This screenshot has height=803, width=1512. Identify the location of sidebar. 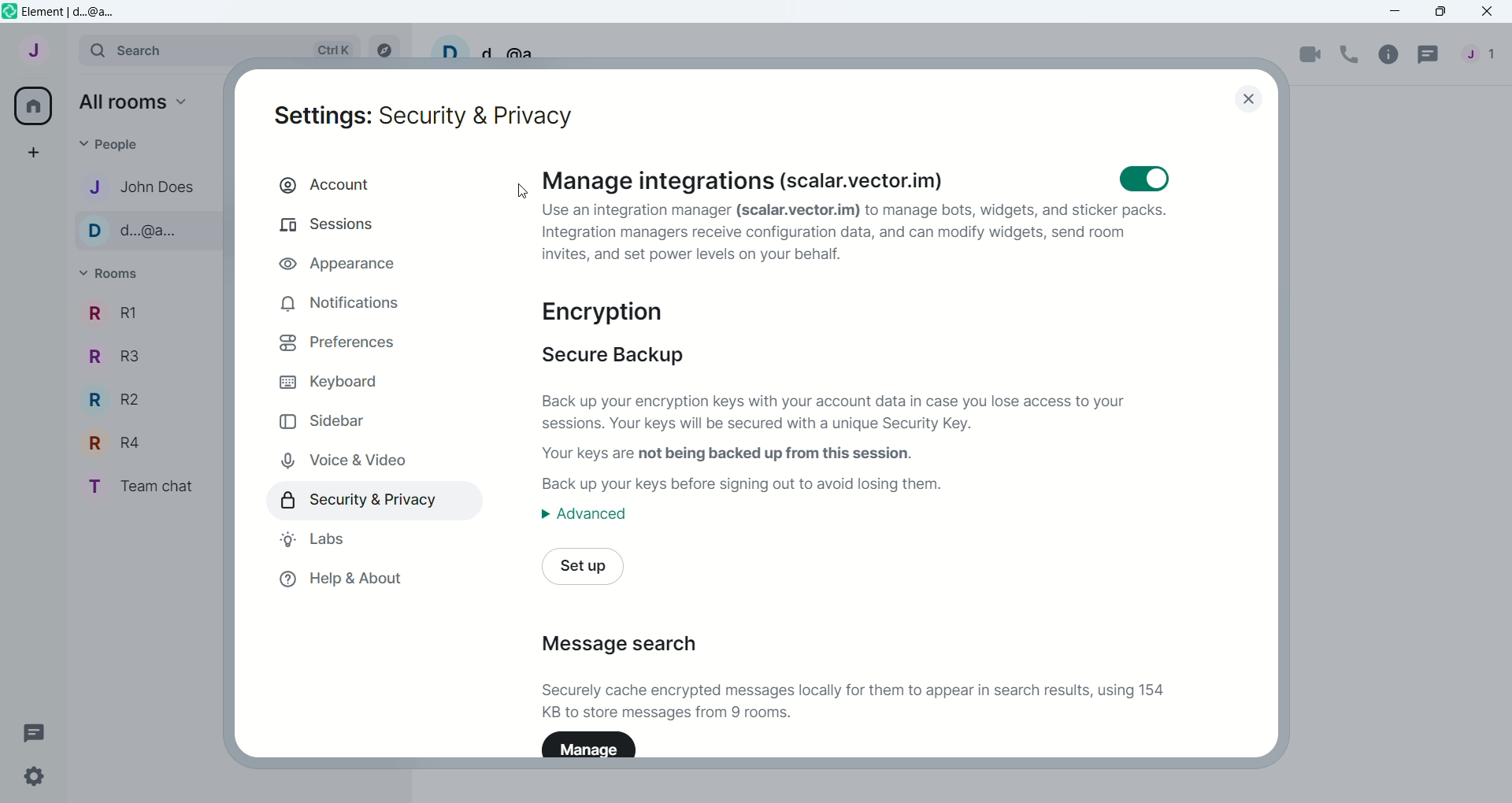
(323, 427).